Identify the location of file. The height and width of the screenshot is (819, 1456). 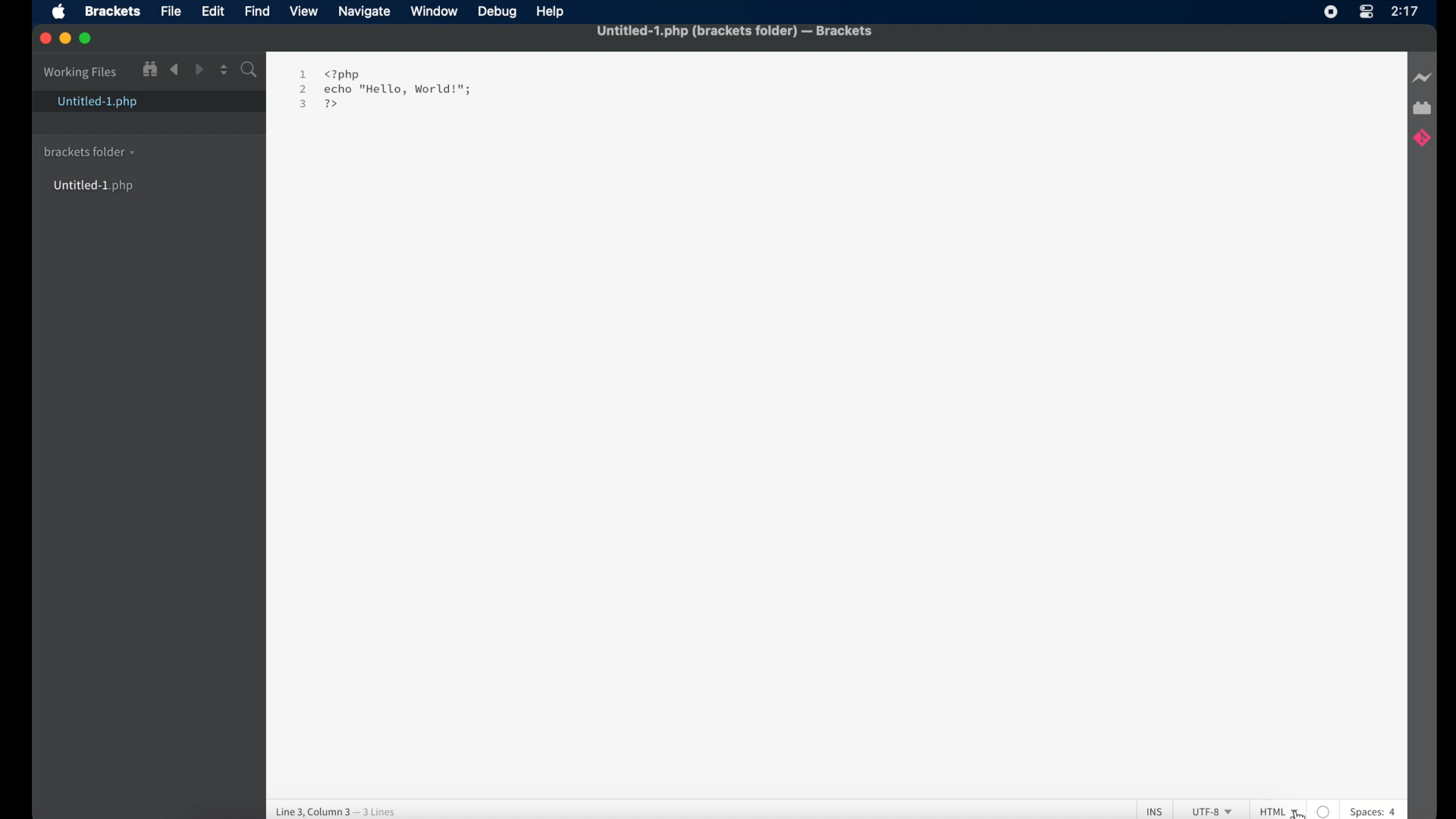
(171, 13).